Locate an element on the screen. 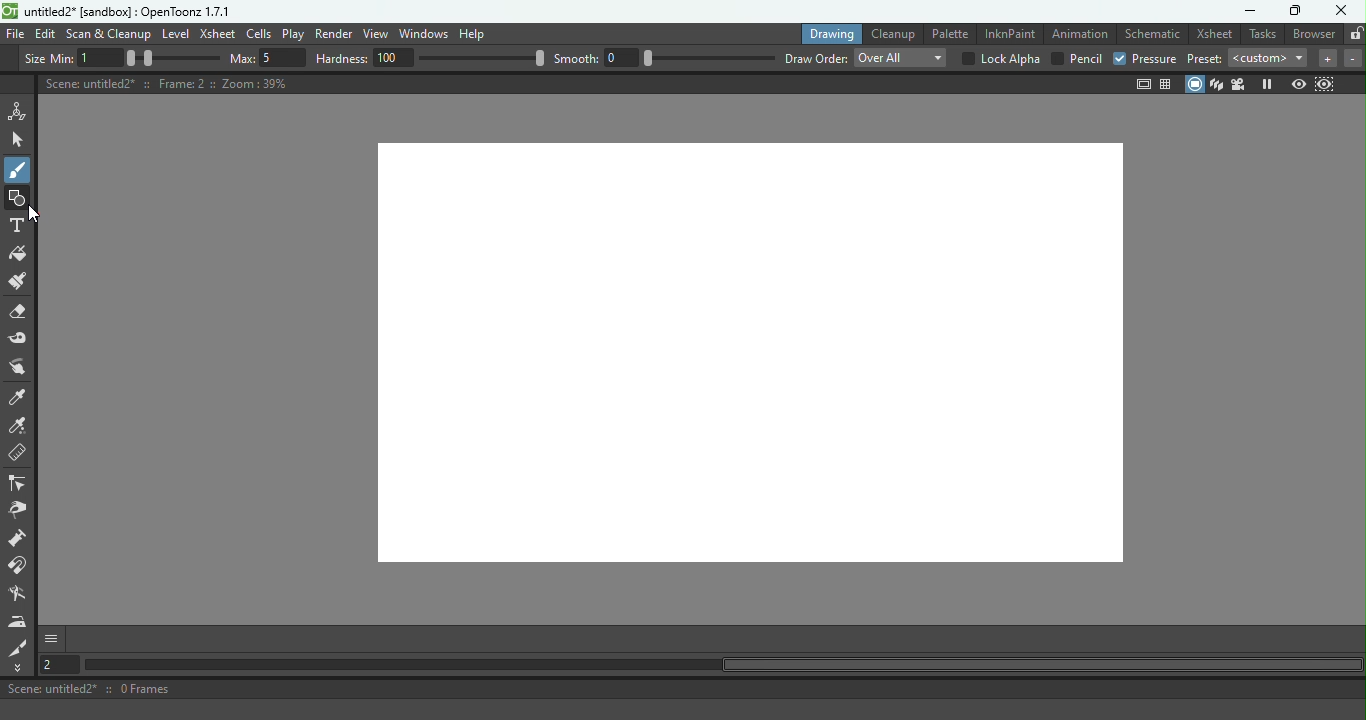 This screenshot has width=1366, height=720. Lock Alpha is located at coordinates (999, 60).